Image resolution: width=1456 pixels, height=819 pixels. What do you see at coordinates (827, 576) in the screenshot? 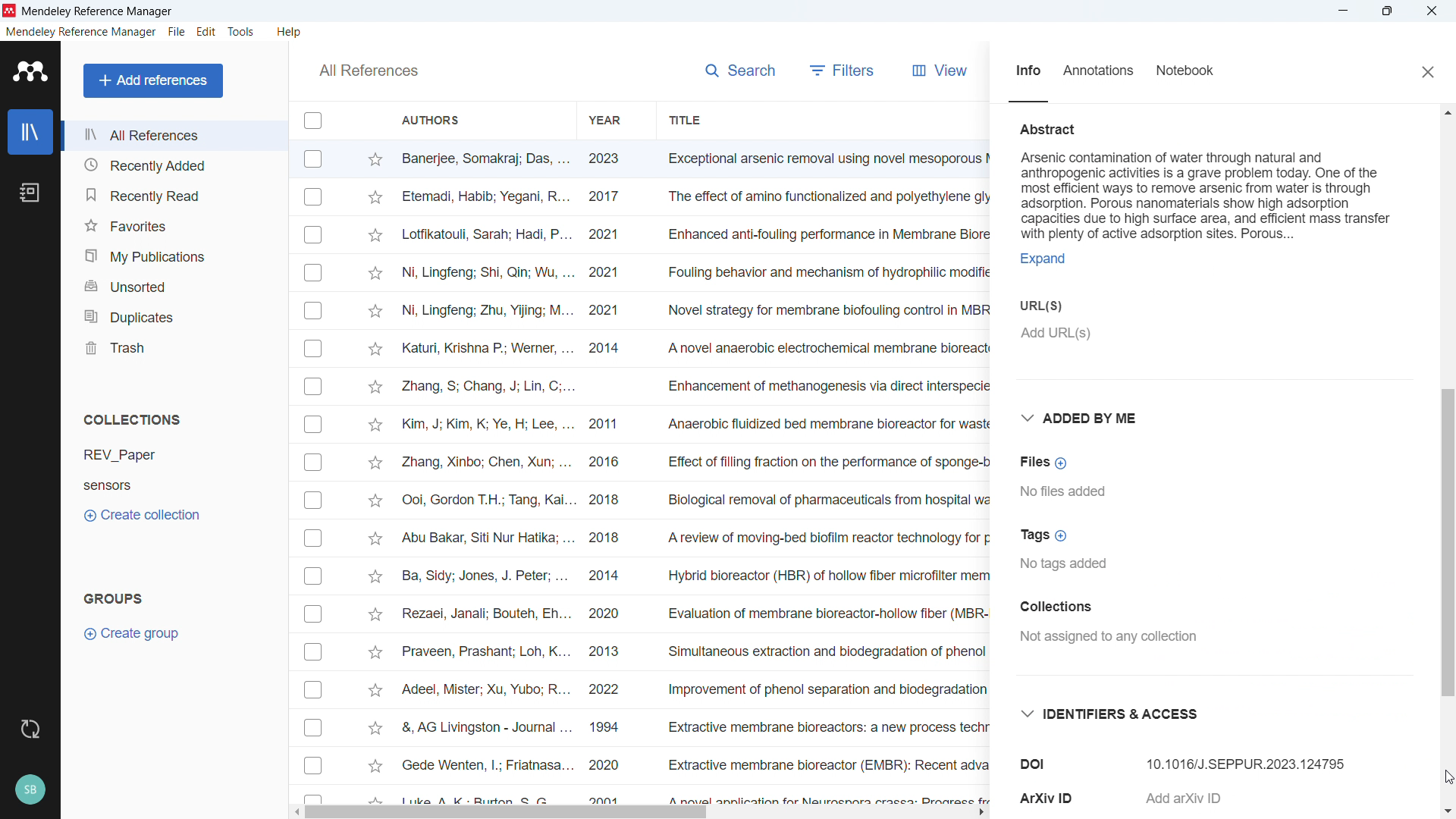
I see `hybrid bioreactor of hollow fiber microfilter membrane and cross linked` at bounding box center [827, 576].